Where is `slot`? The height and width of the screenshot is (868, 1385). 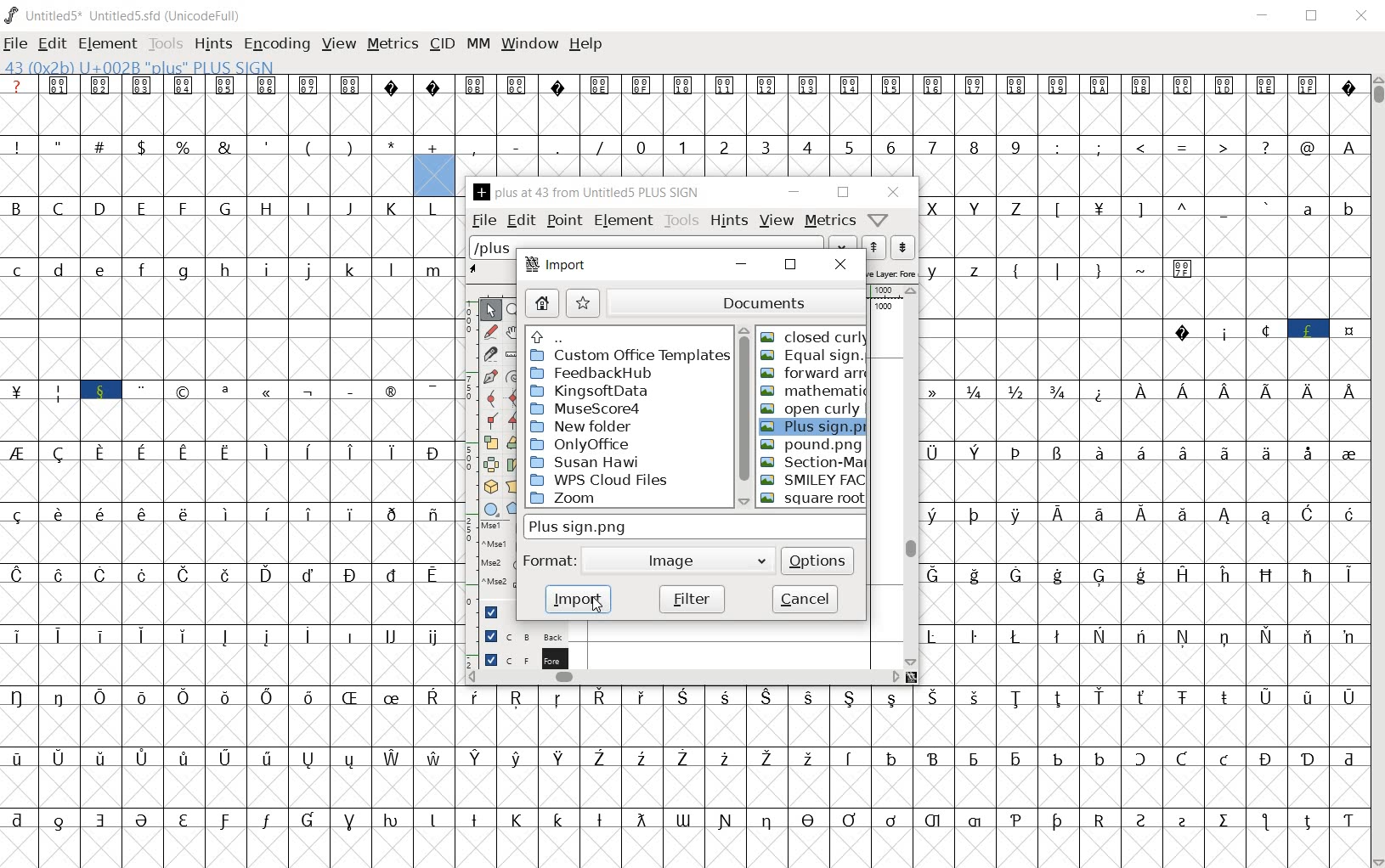
slot is located at coordinates (229, 350).